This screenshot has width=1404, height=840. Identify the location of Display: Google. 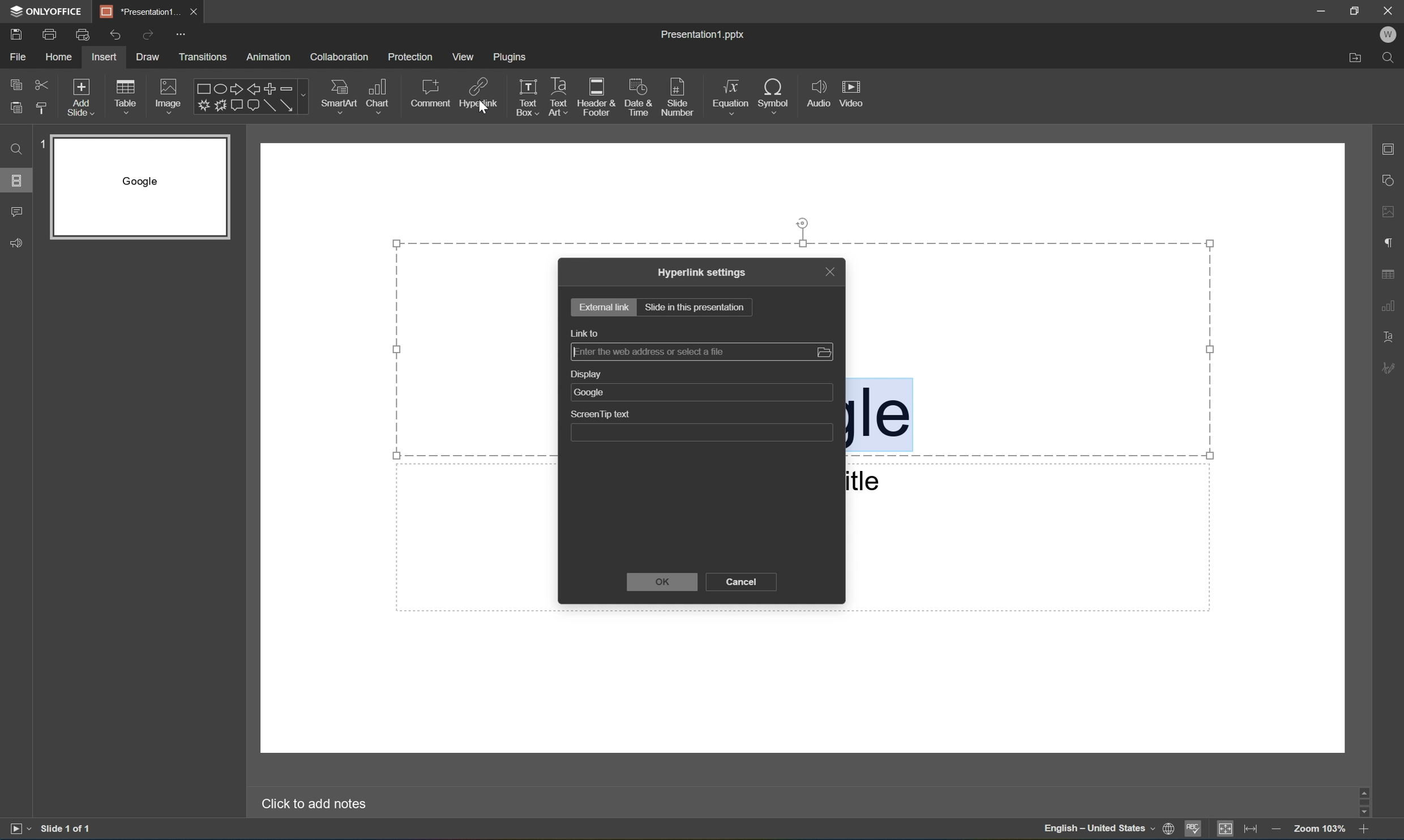
(700, 385).